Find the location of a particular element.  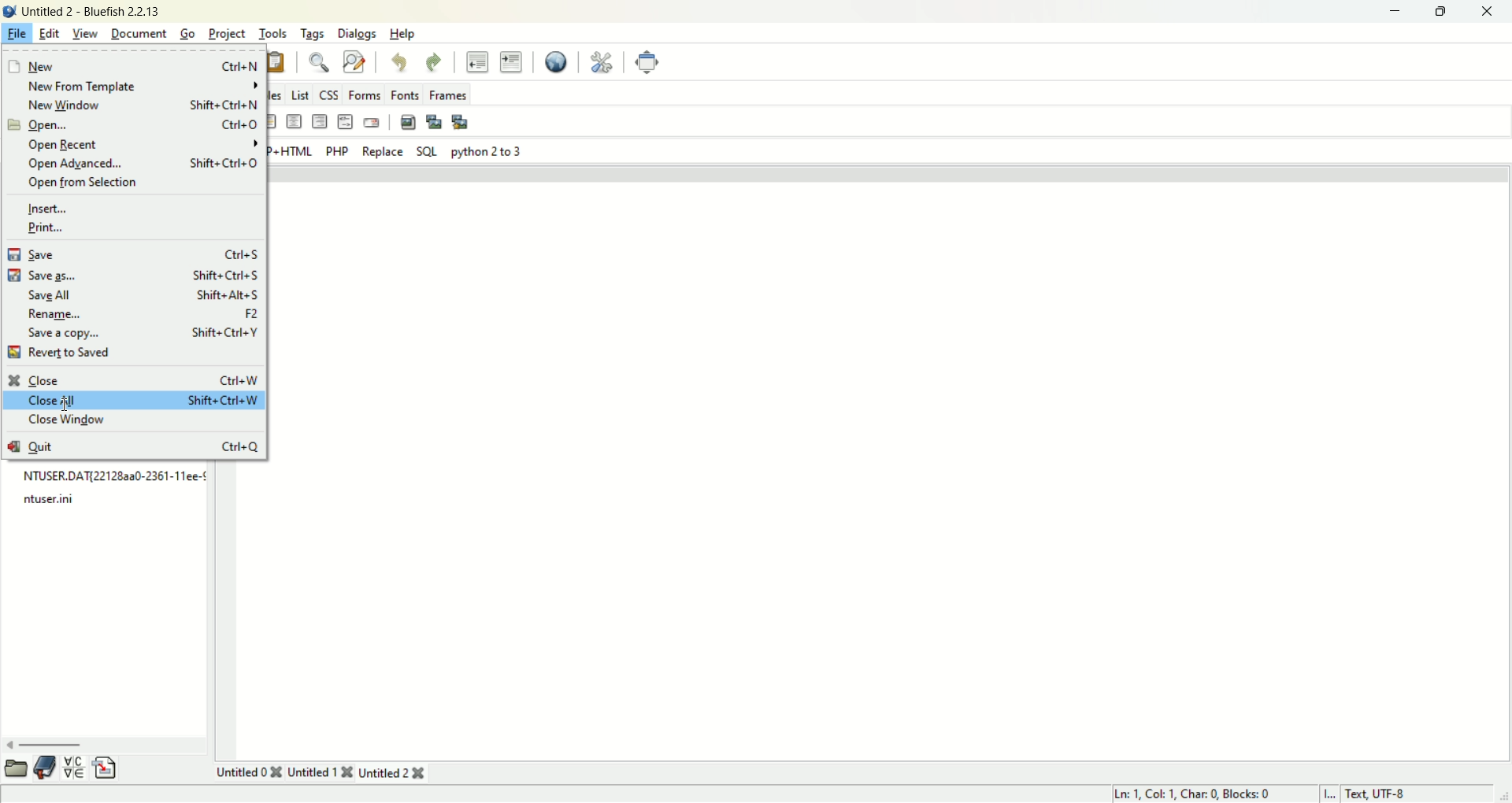

text, UTF-8 is located at coordinates (1392, 794).